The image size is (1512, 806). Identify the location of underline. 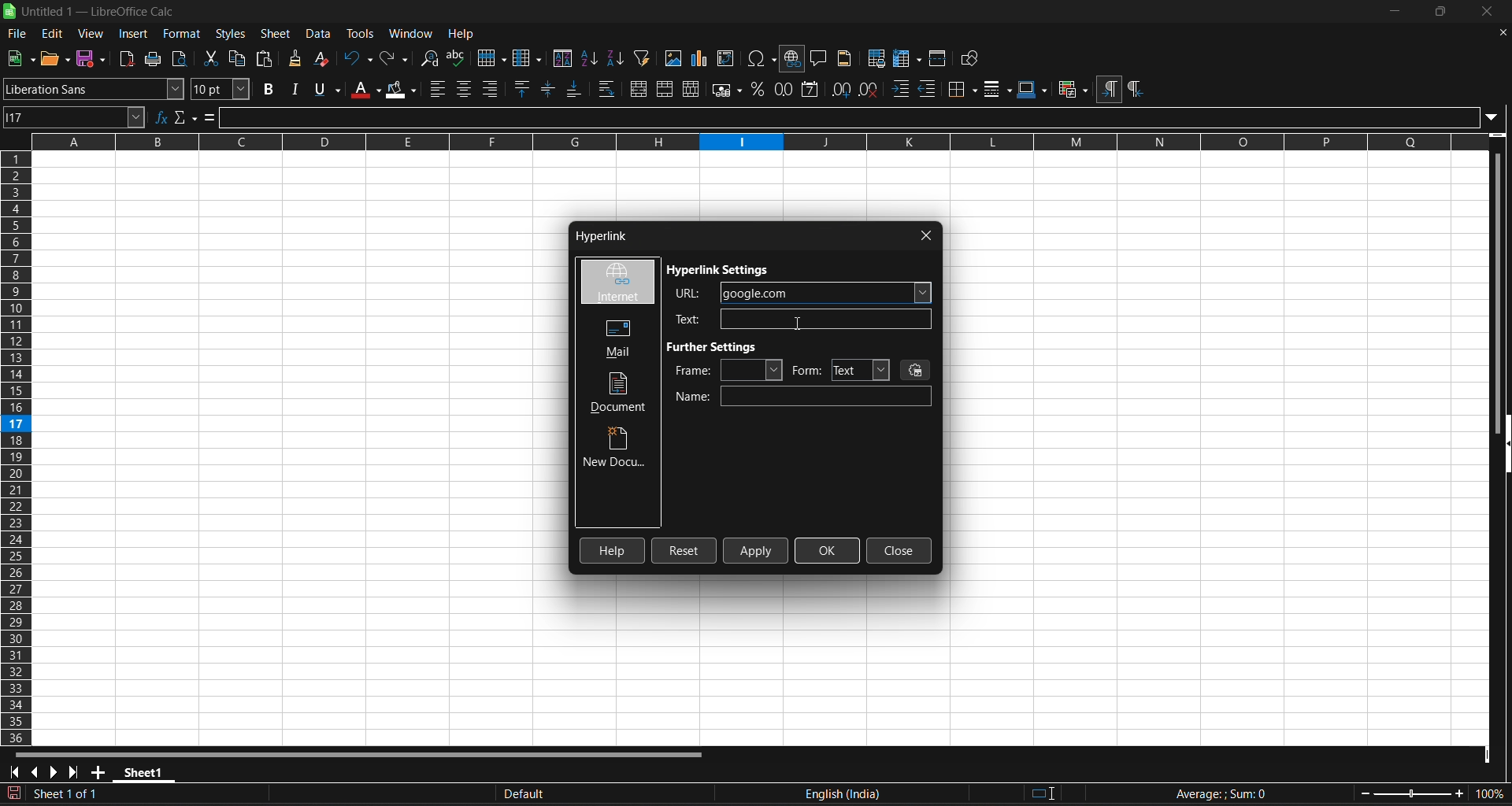
(326, 89).